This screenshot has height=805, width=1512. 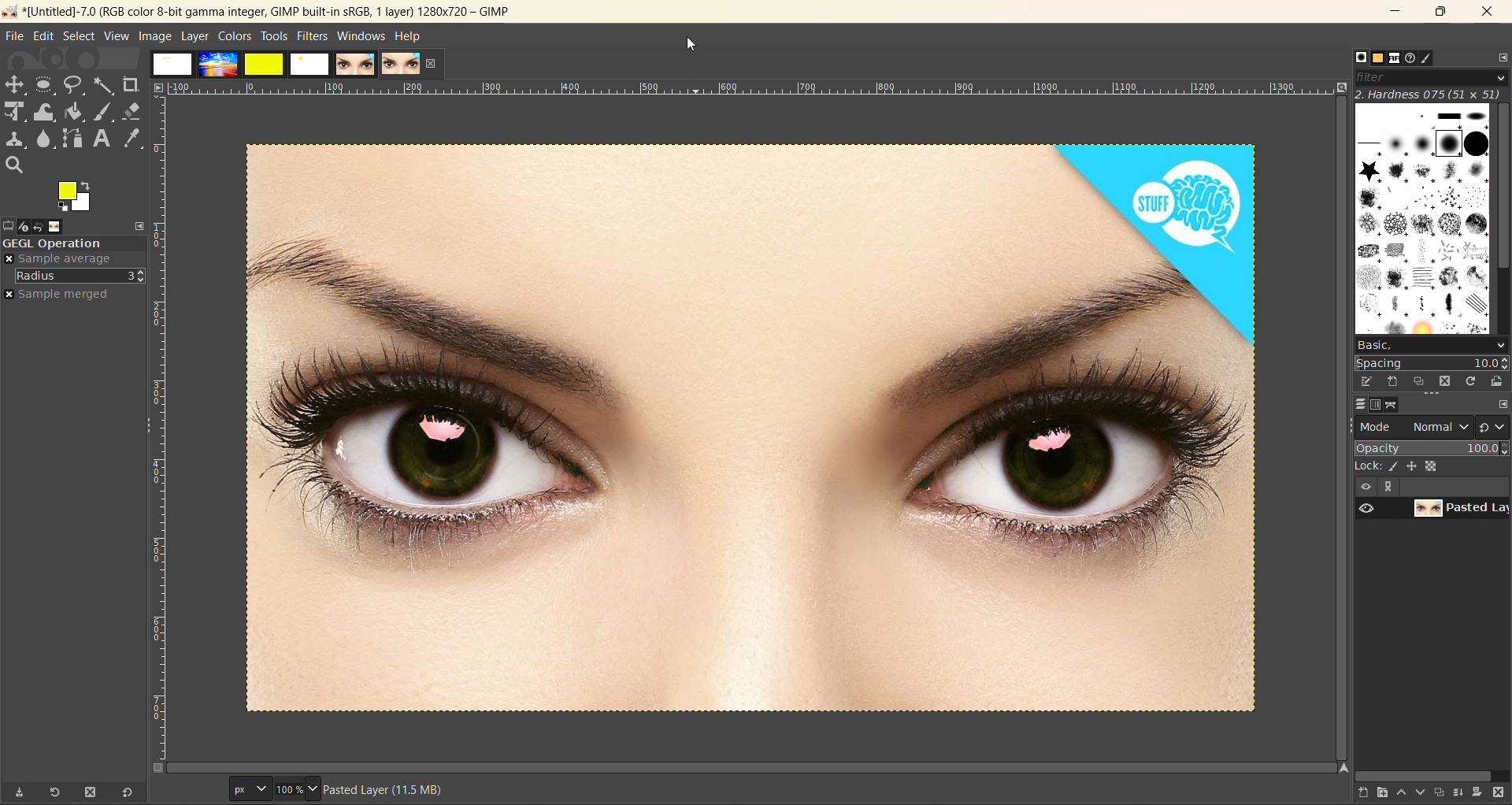 I want to click on maximize, so click(x=1440, y=15).